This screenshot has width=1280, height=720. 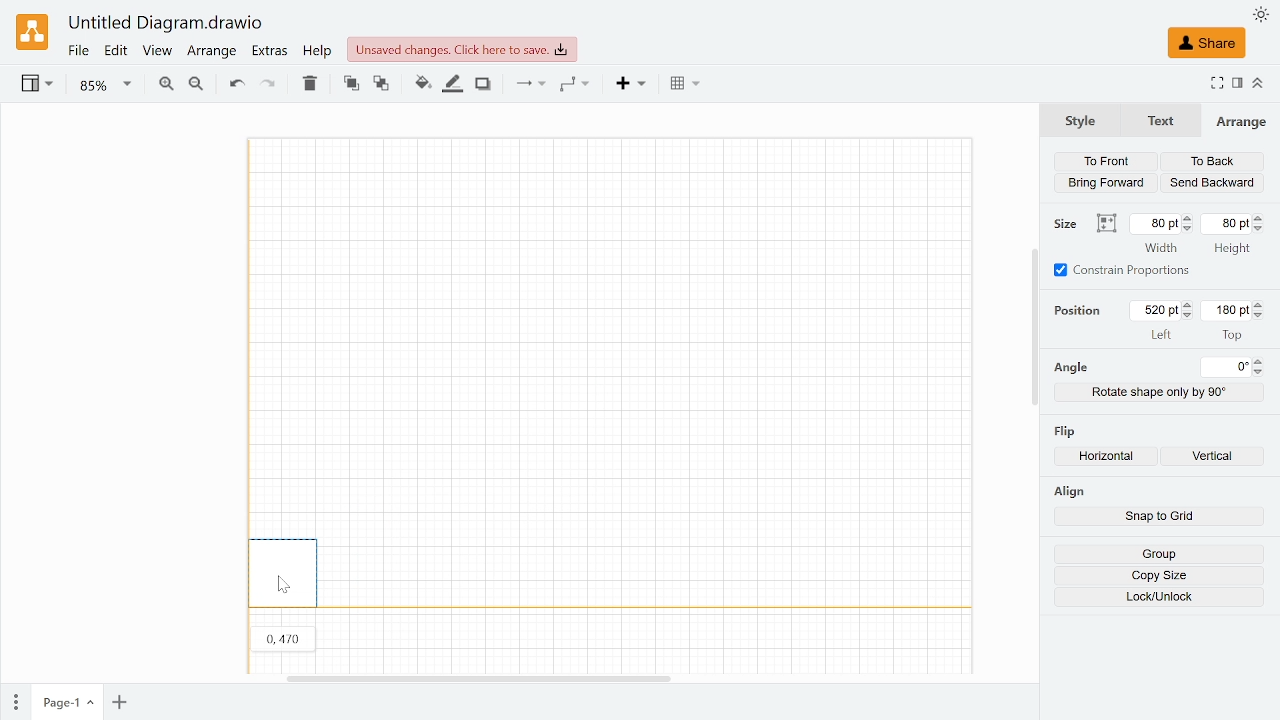 I want to click on Snap to grid, so click(x=1159, y=518).